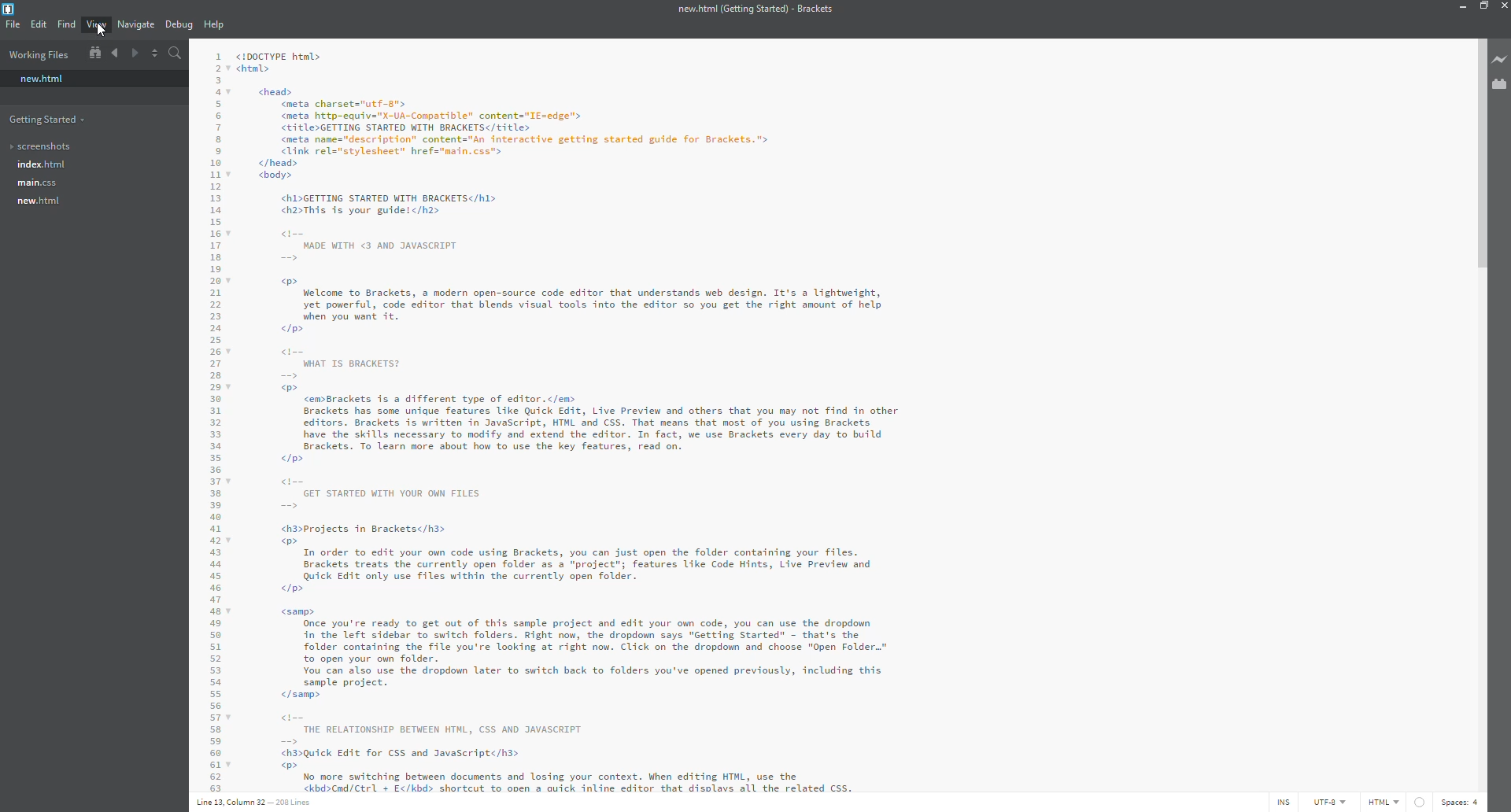 The height and width of the screenshot is (812, 1511). Describe the element at coordinates (65, 24) in the screenshot. I see `find` at that location.